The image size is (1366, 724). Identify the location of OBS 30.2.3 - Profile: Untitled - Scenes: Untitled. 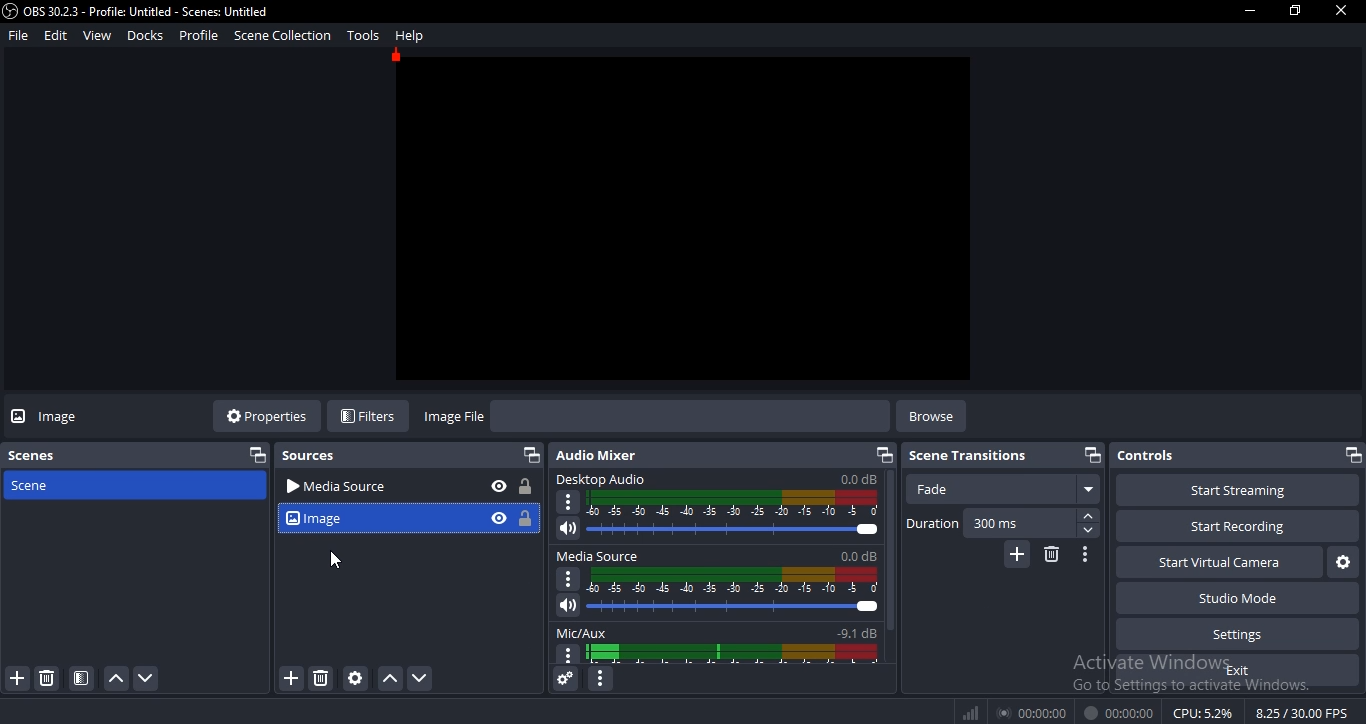
(136, 11).